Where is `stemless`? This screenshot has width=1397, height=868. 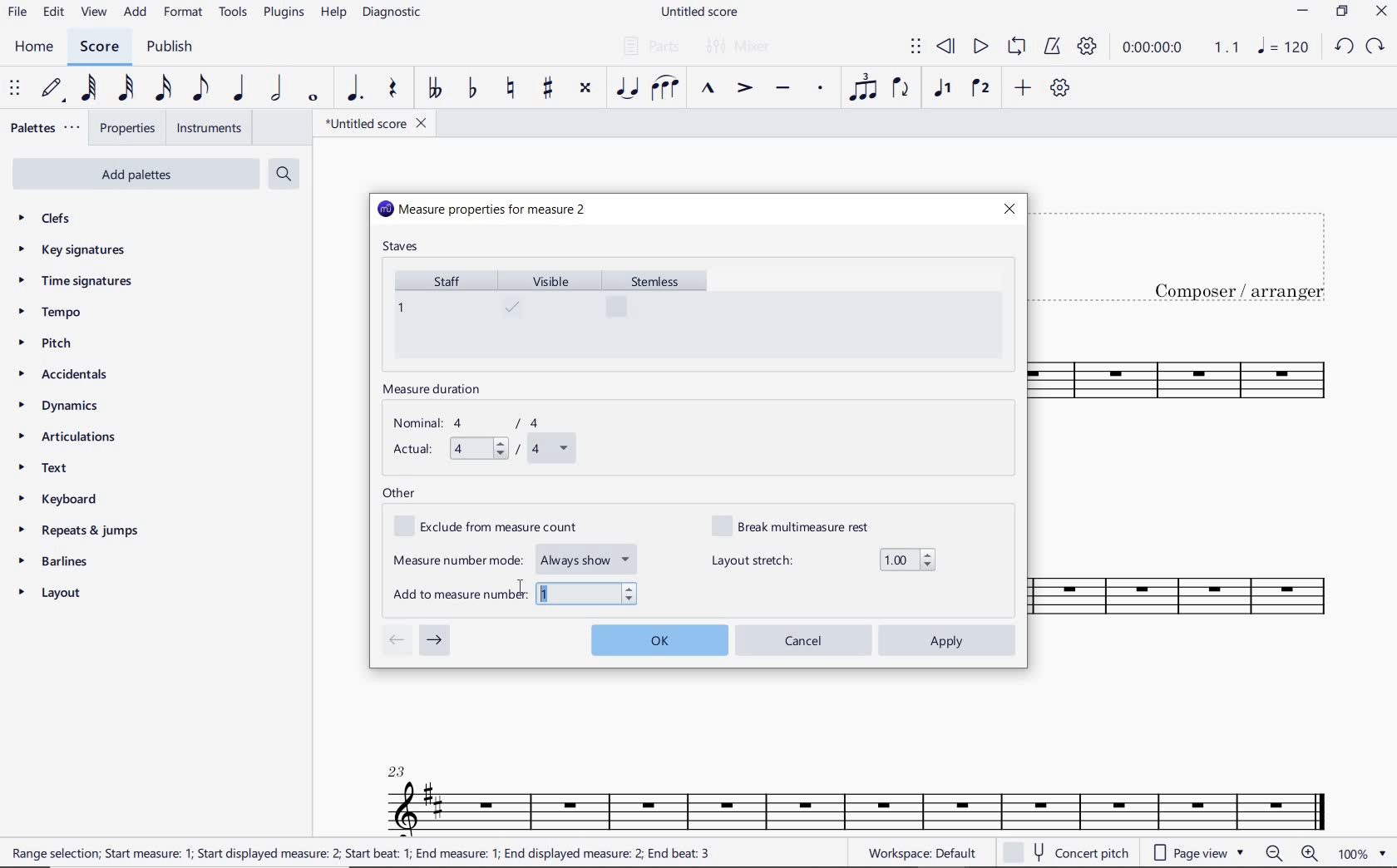 stemless is located at coordinates (662, 313).